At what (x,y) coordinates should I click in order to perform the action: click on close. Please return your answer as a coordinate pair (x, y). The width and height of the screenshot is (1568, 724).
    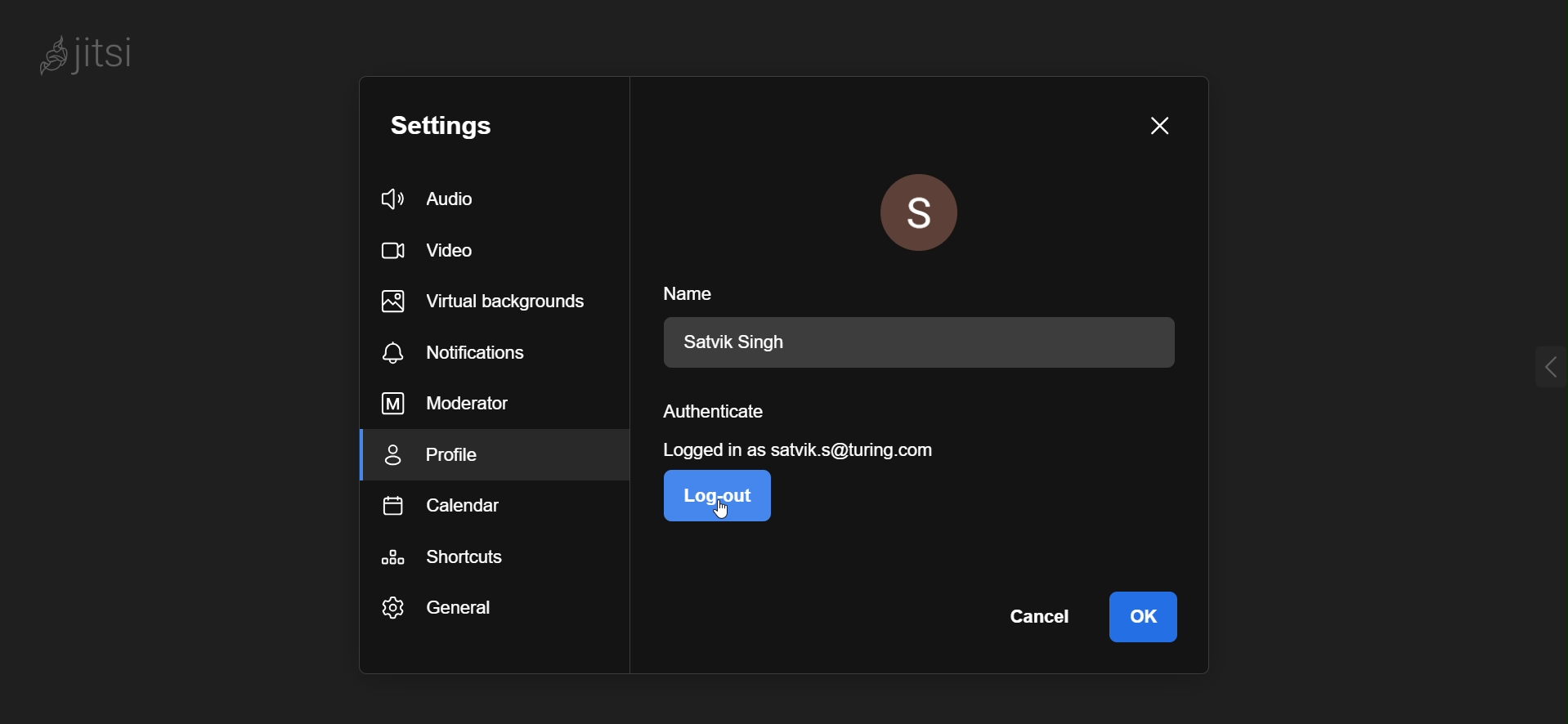
    Looking at the image, I should click on (1156, 130).